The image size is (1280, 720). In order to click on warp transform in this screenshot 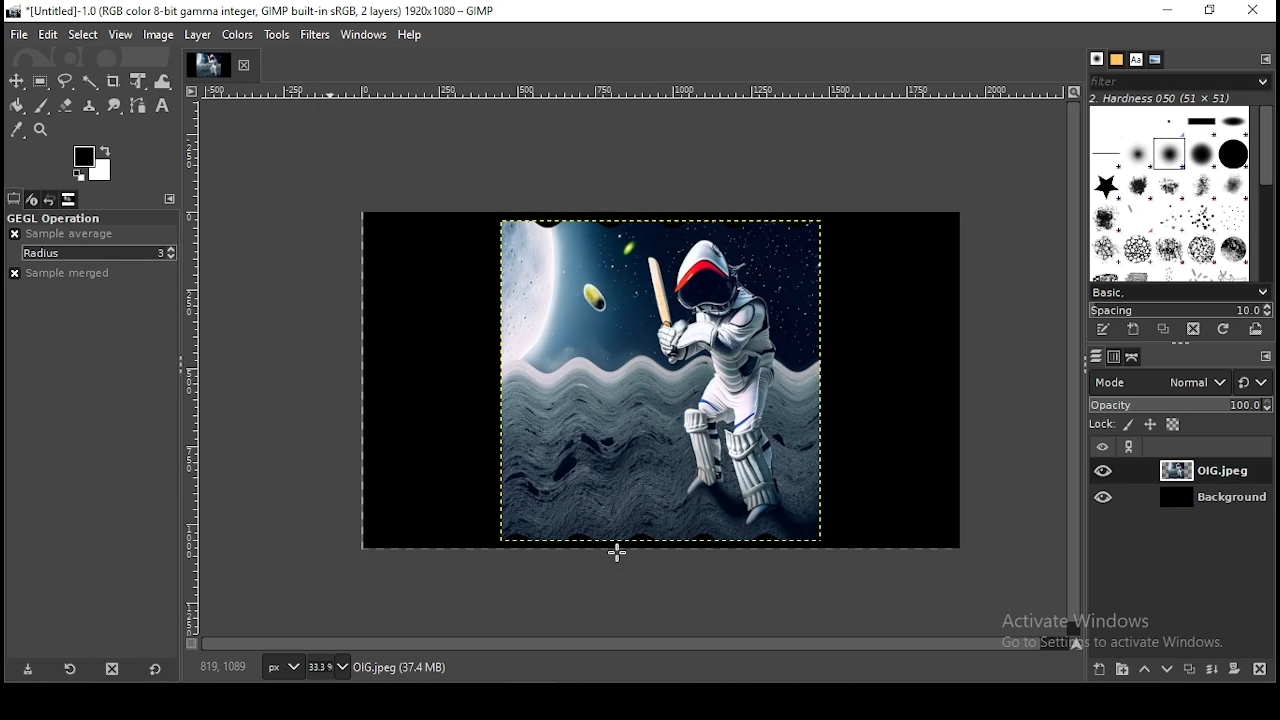, I will do `click(163, 80)`.